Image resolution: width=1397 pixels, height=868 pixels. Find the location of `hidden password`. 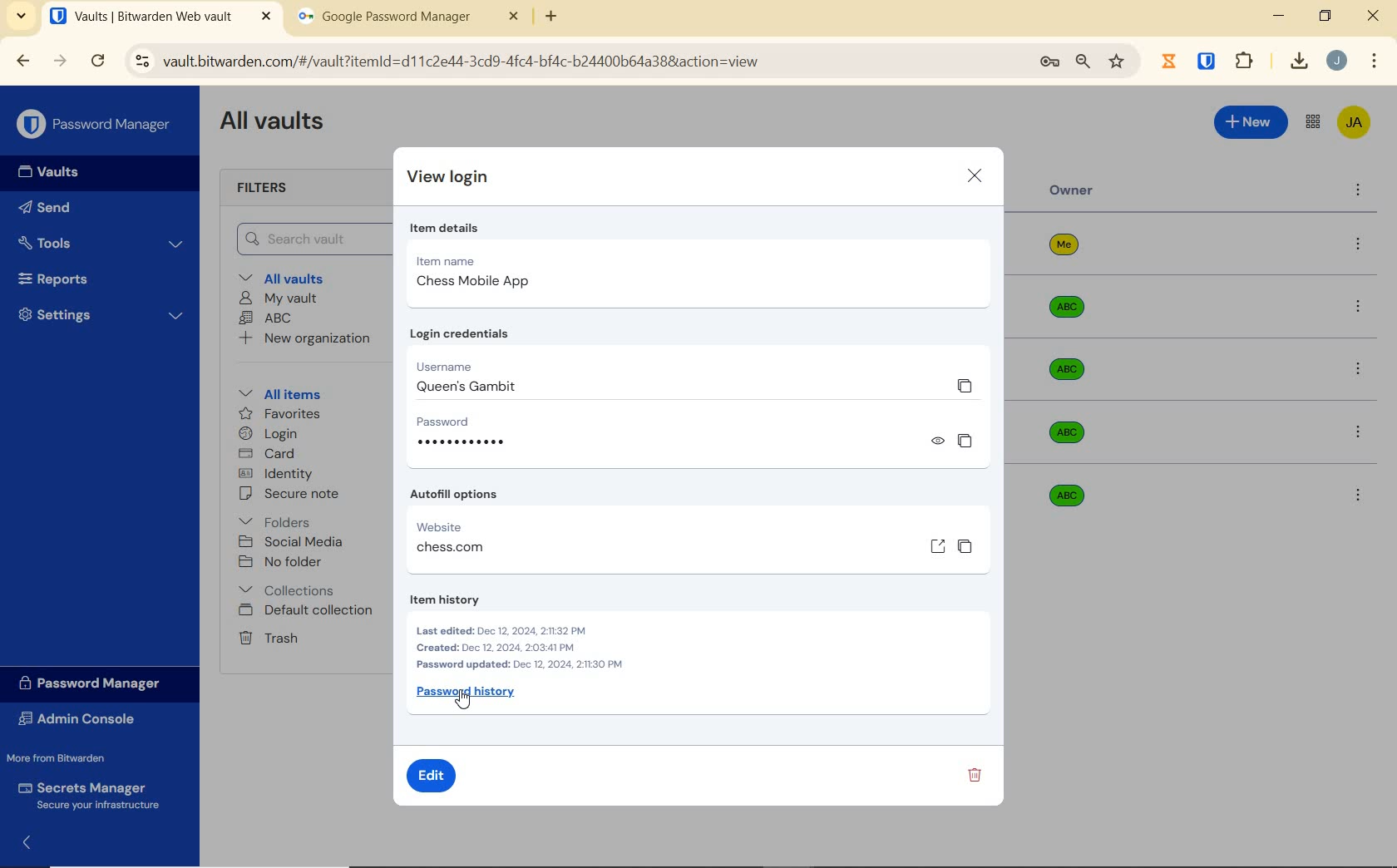

hidden password is located at coordinates (463, 445).